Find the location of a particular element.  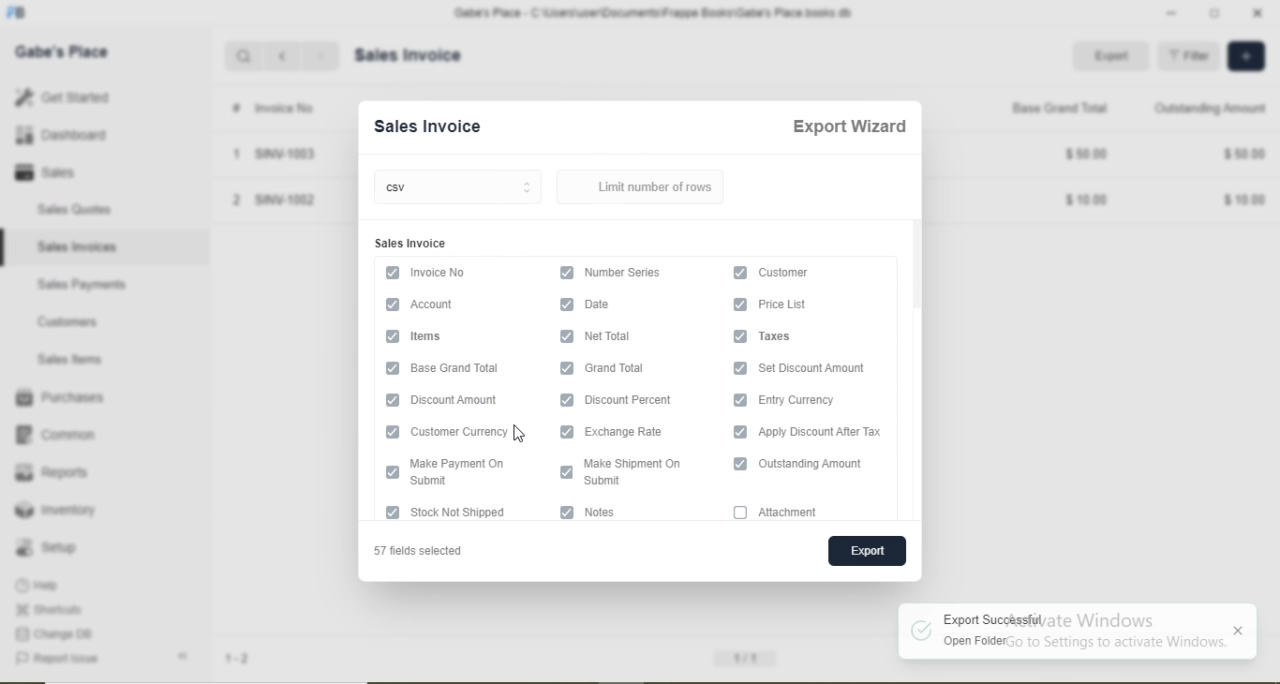

Grand Total is located at coordinates (627, 369).